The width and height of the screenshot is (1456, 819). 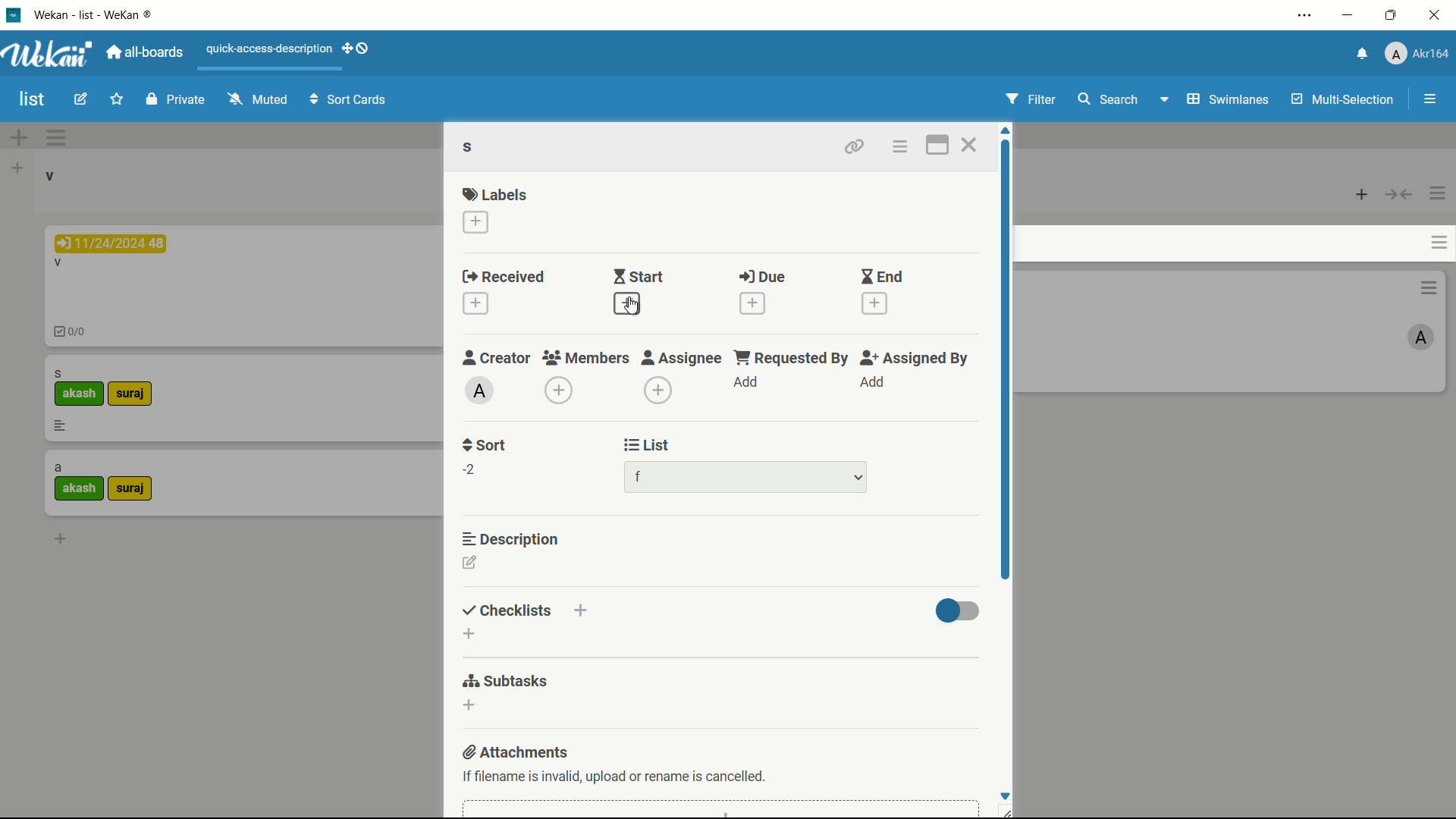 What do you see at coordinates (642, 277) in the screenshot?
I see `start` at bounding box center [642, 277].